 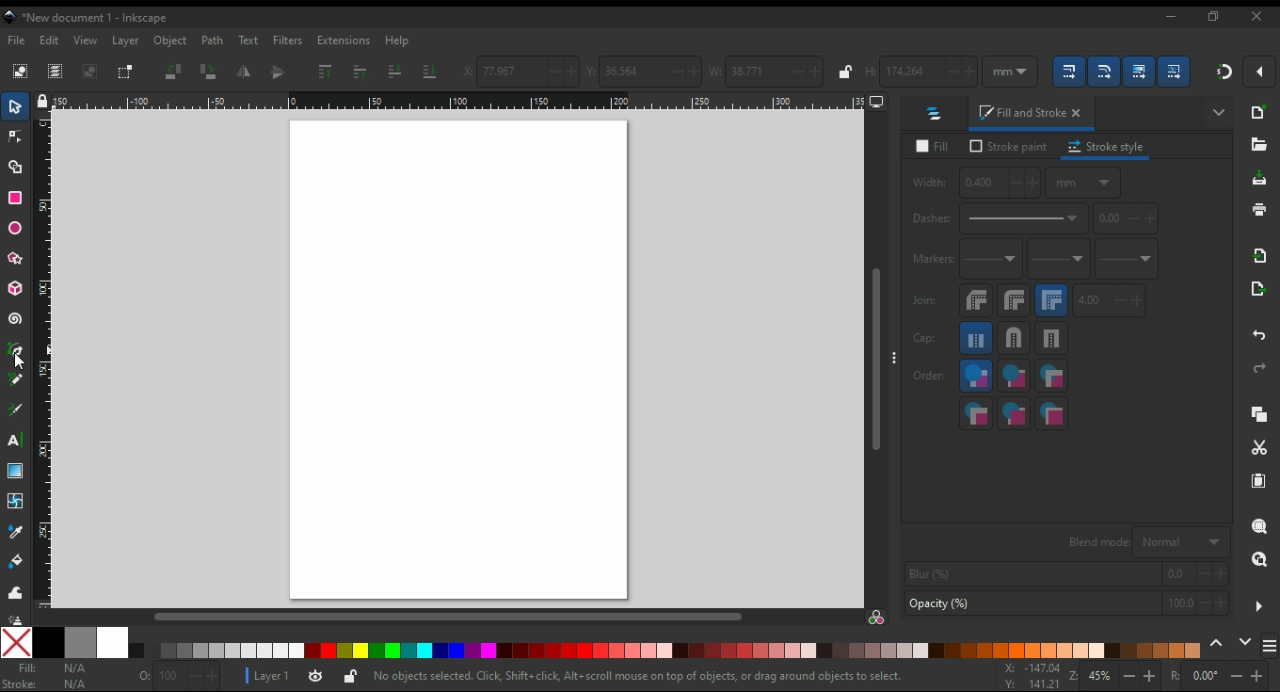 What do you see at coordinates (397, 71) in the screenshot?
I see `lower` at bounding box center [397, 71].